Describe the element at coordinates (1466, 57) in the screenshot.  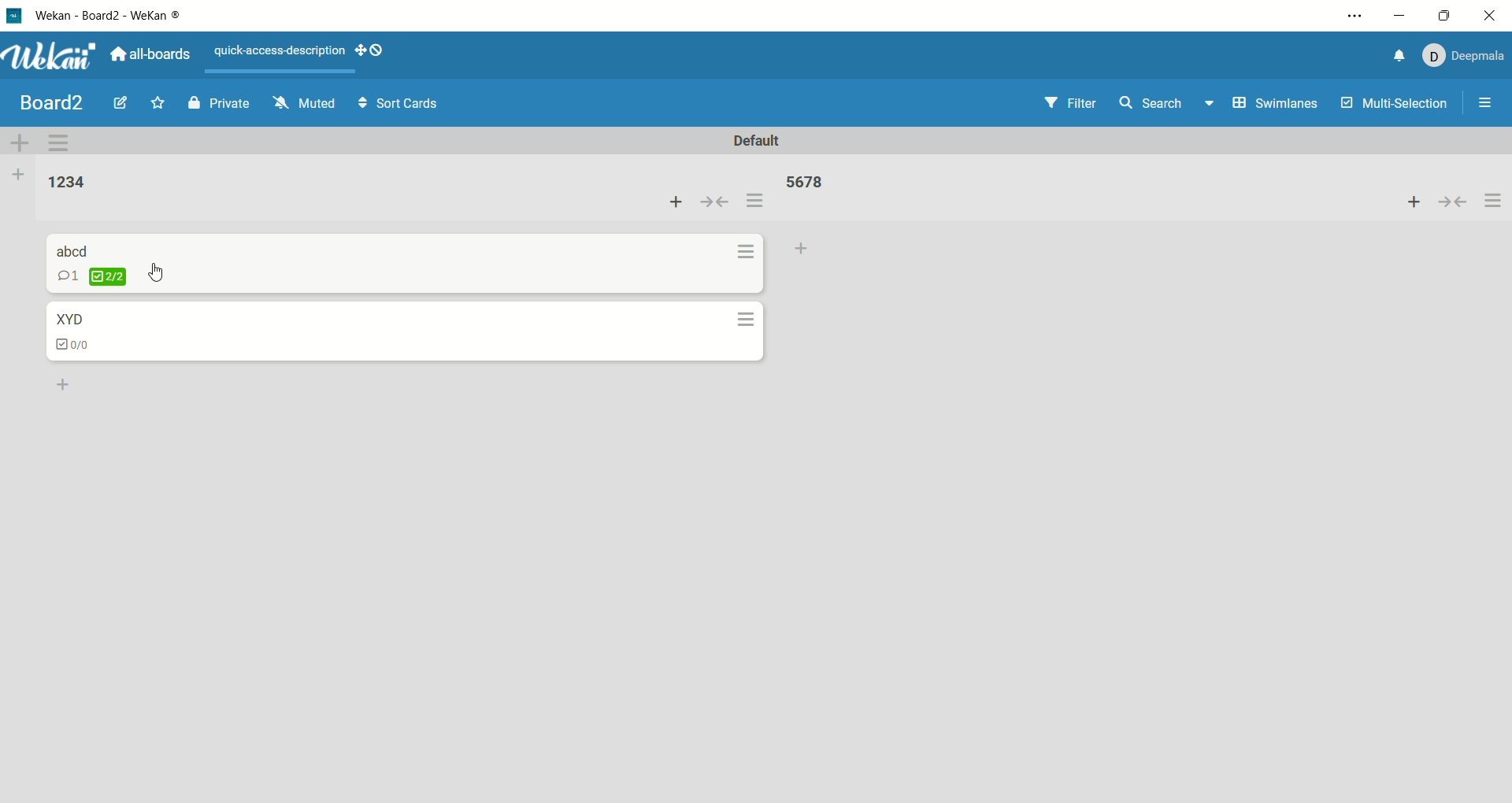
I see `account` at that location.